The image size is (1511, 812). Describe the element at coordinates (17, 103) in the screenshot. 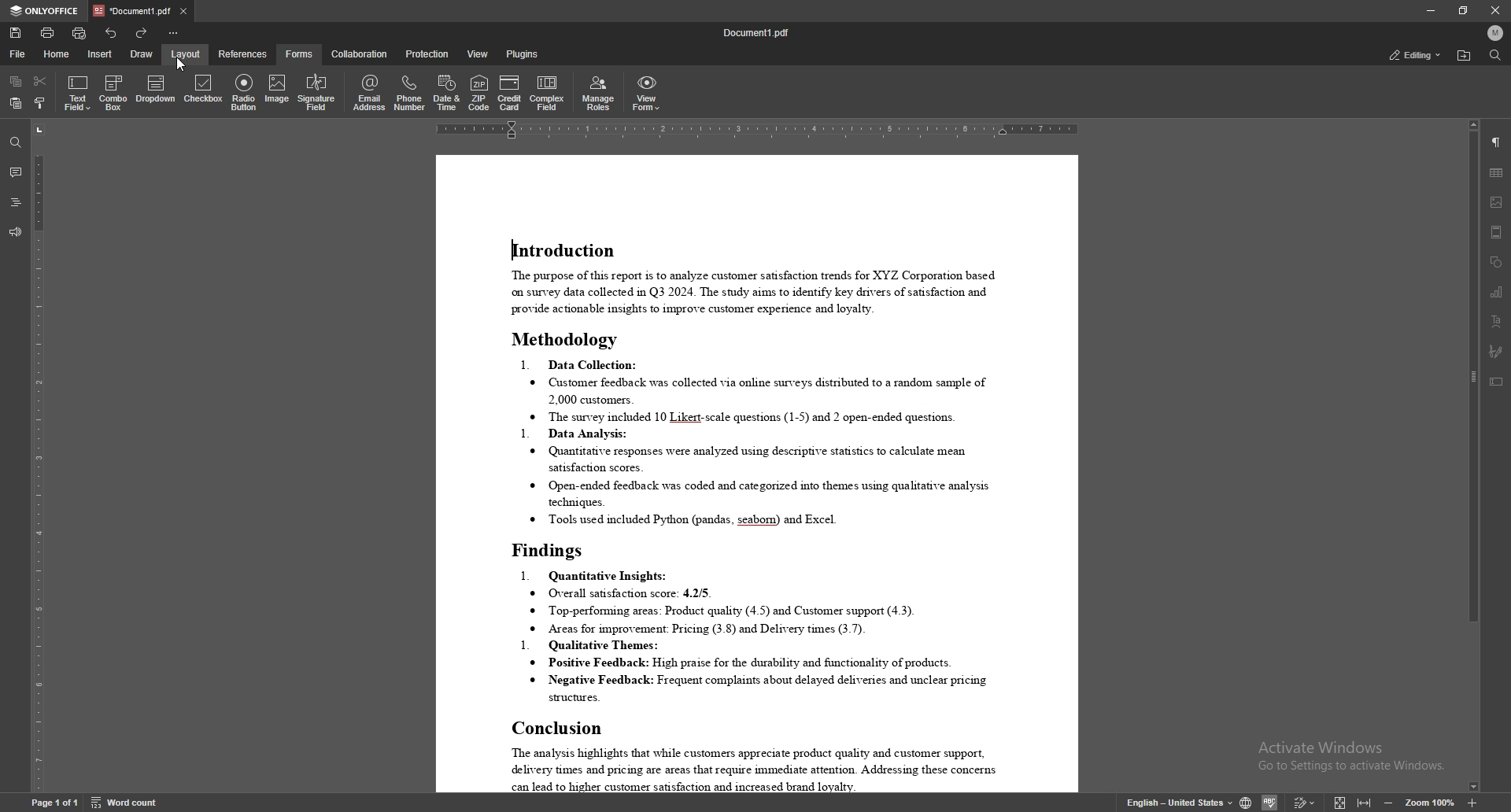

I see `paste` at that location.